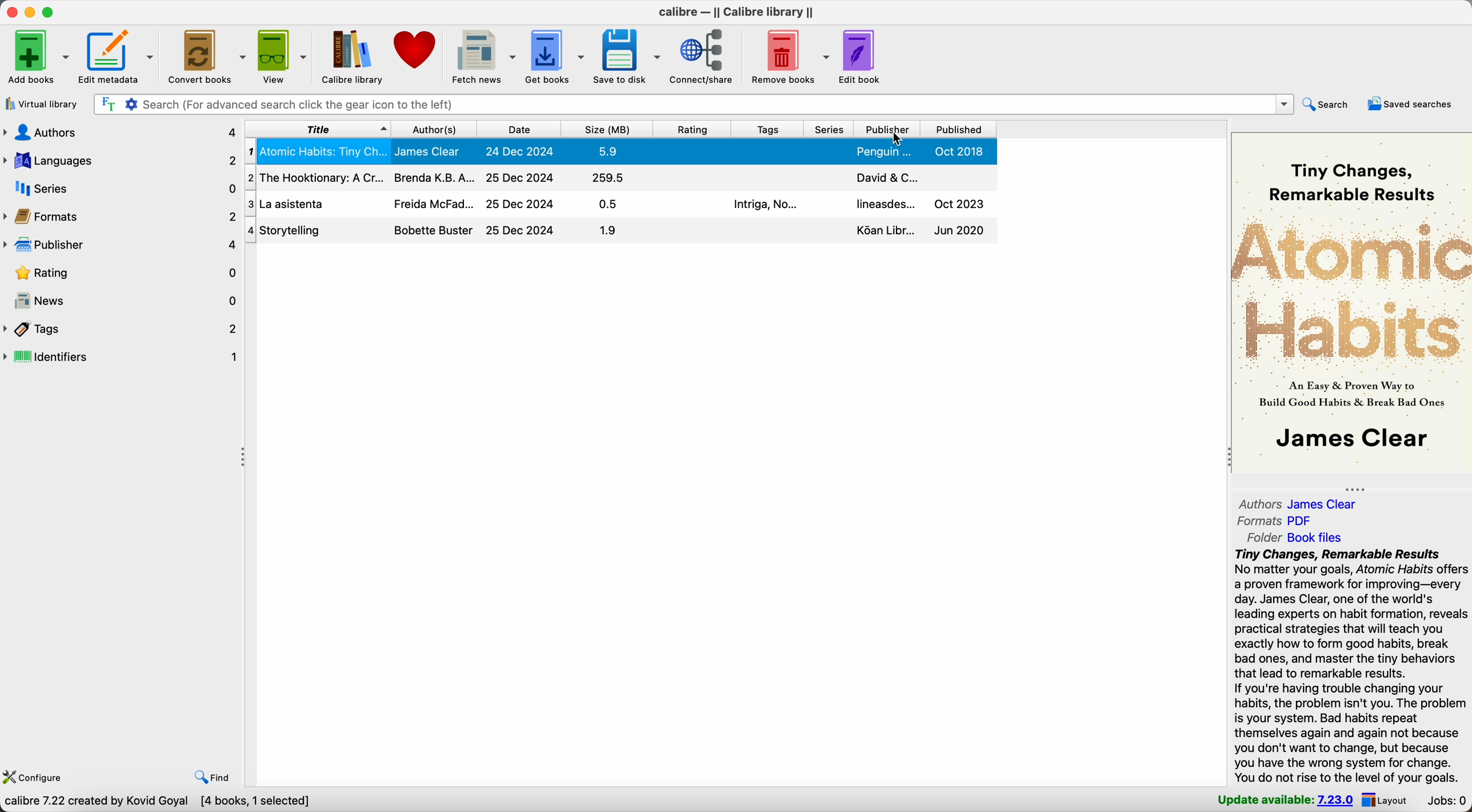 The height and width of the screenshot is (812, 1472). Describe the element at coordinates (864, 57) in the screenshot. I see `edit book` at that location.